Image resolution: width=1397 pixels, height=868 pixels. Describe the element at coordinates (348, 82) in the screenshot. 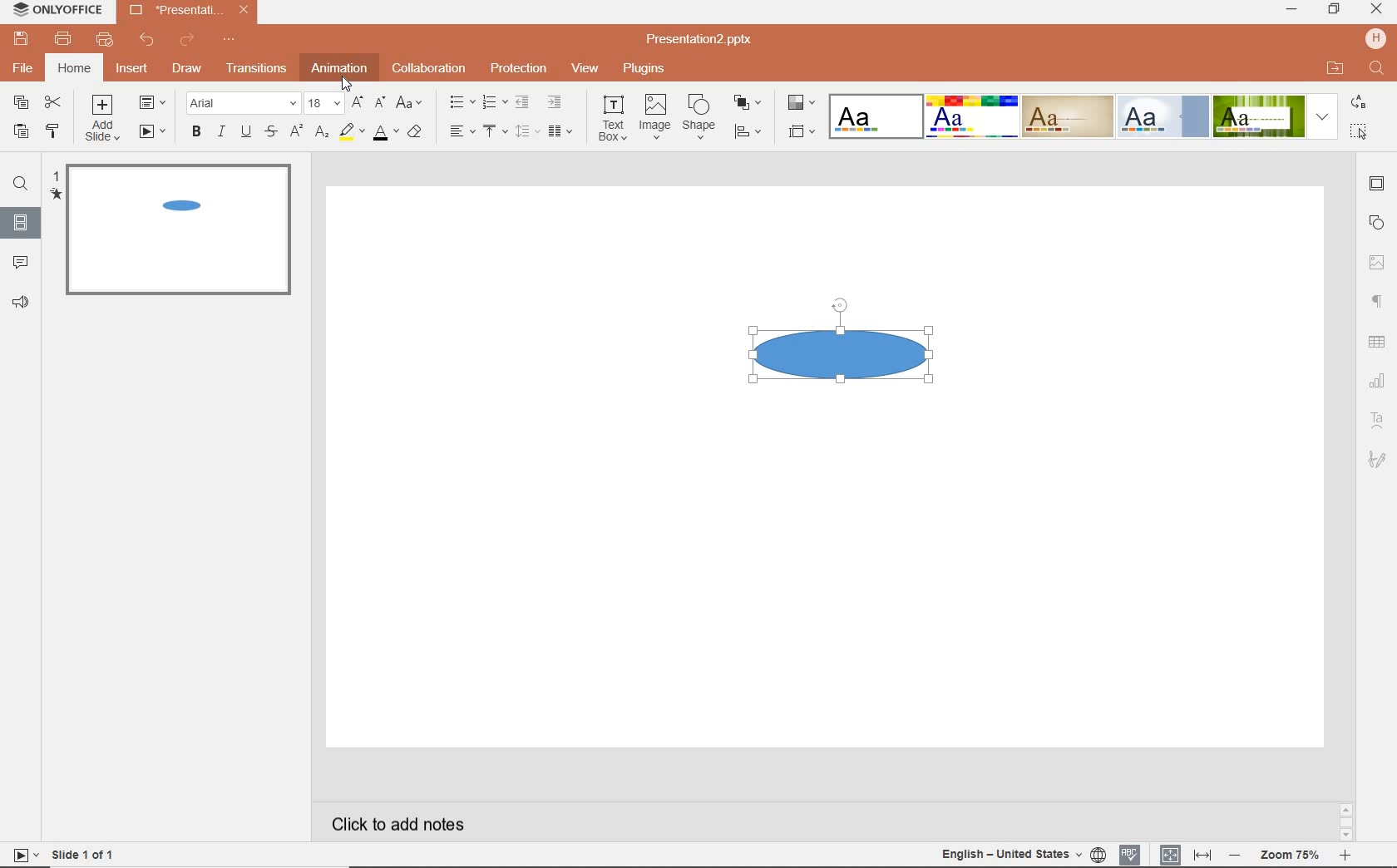

I see `cursor` at that location.